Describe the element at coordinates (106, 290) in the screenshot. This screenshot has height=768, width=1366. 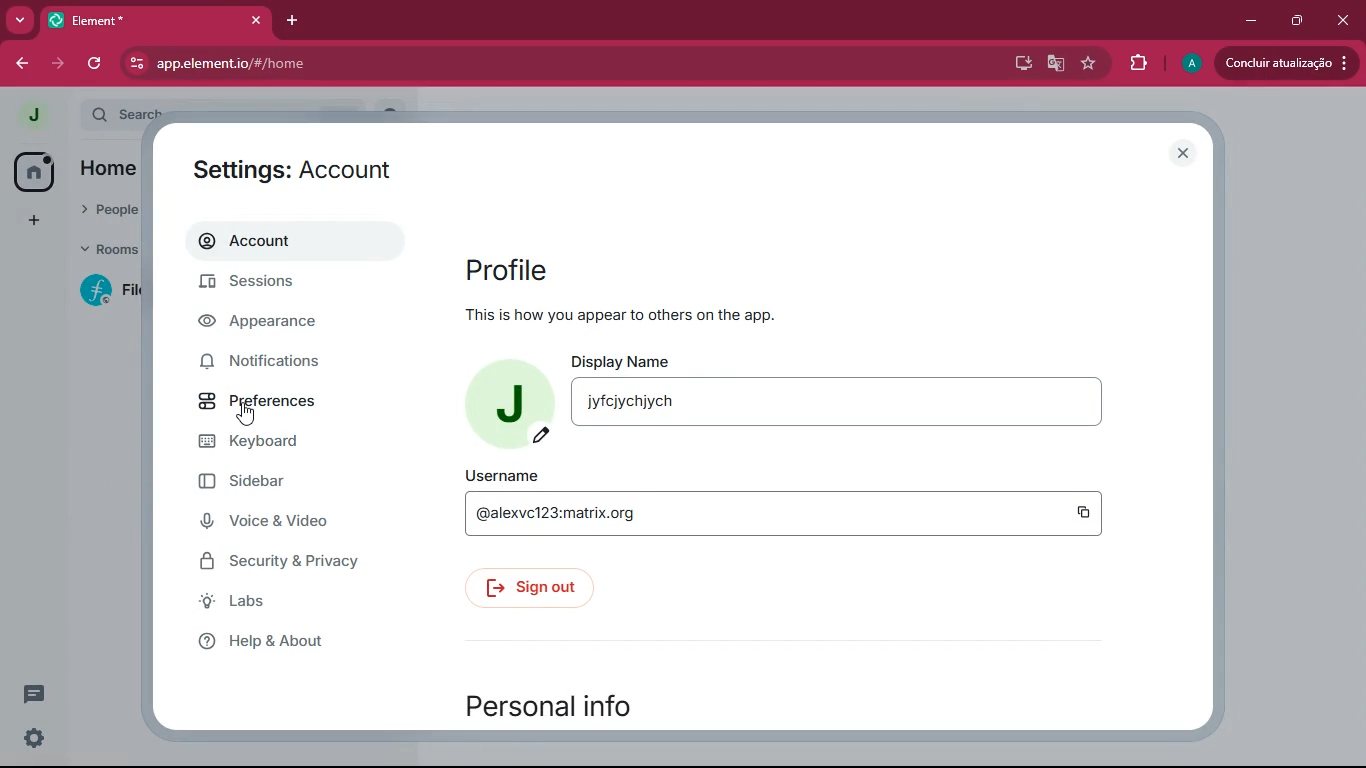
I see `room` at that location.